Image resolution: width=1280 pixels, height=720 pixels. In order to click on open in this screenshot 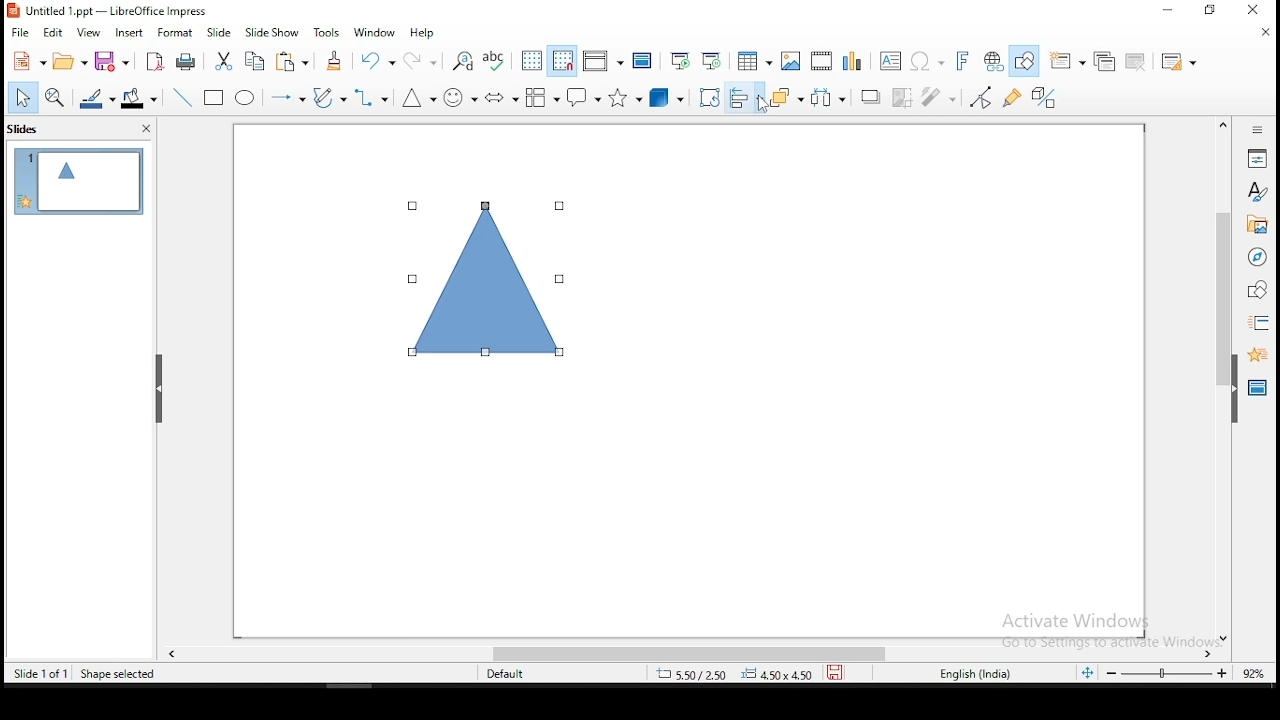, I will do `click(71, 64)`.